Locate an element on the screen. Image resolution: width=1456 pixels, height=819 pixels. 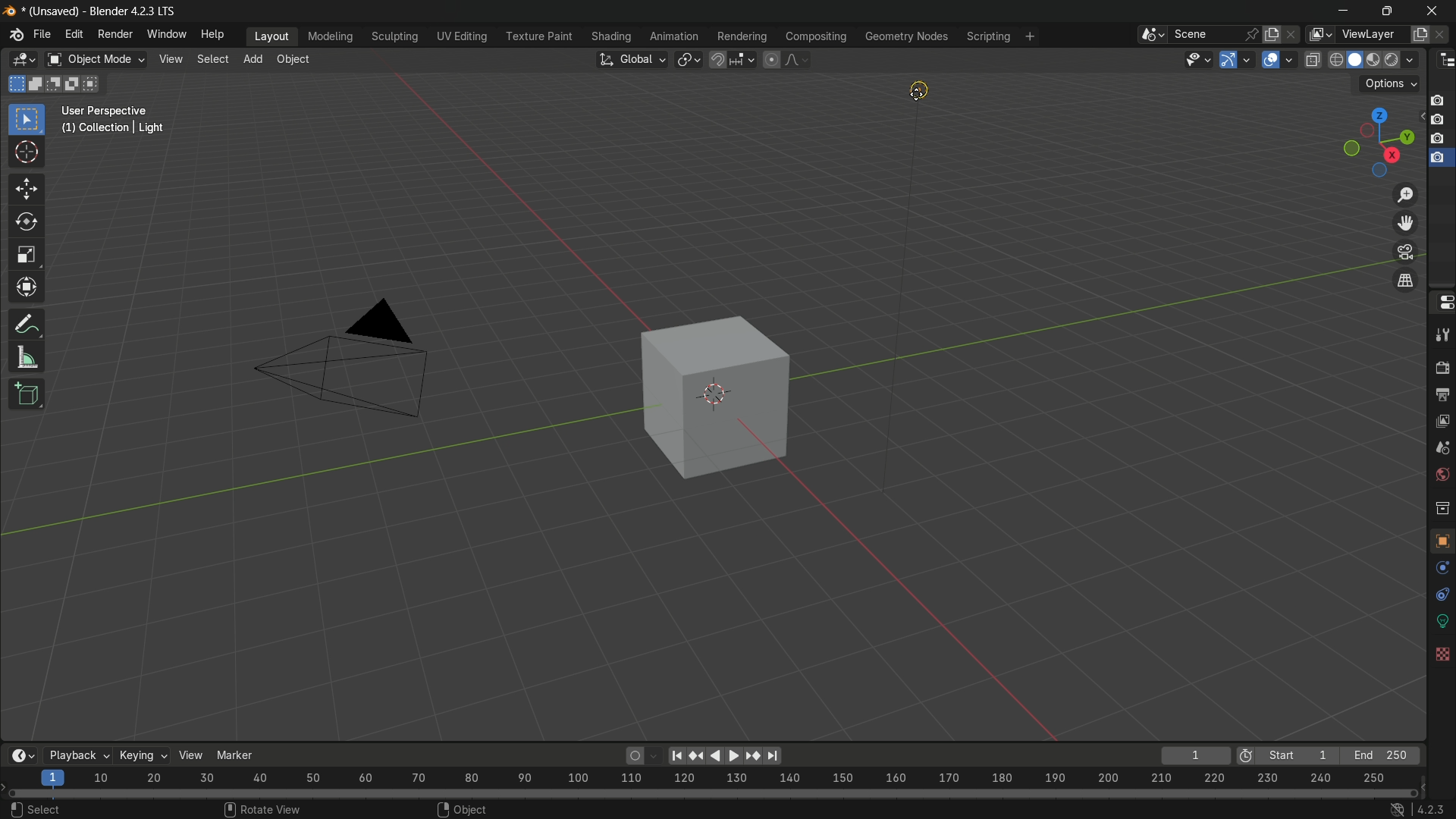
compositing menu is located at coordinates (814, 37).